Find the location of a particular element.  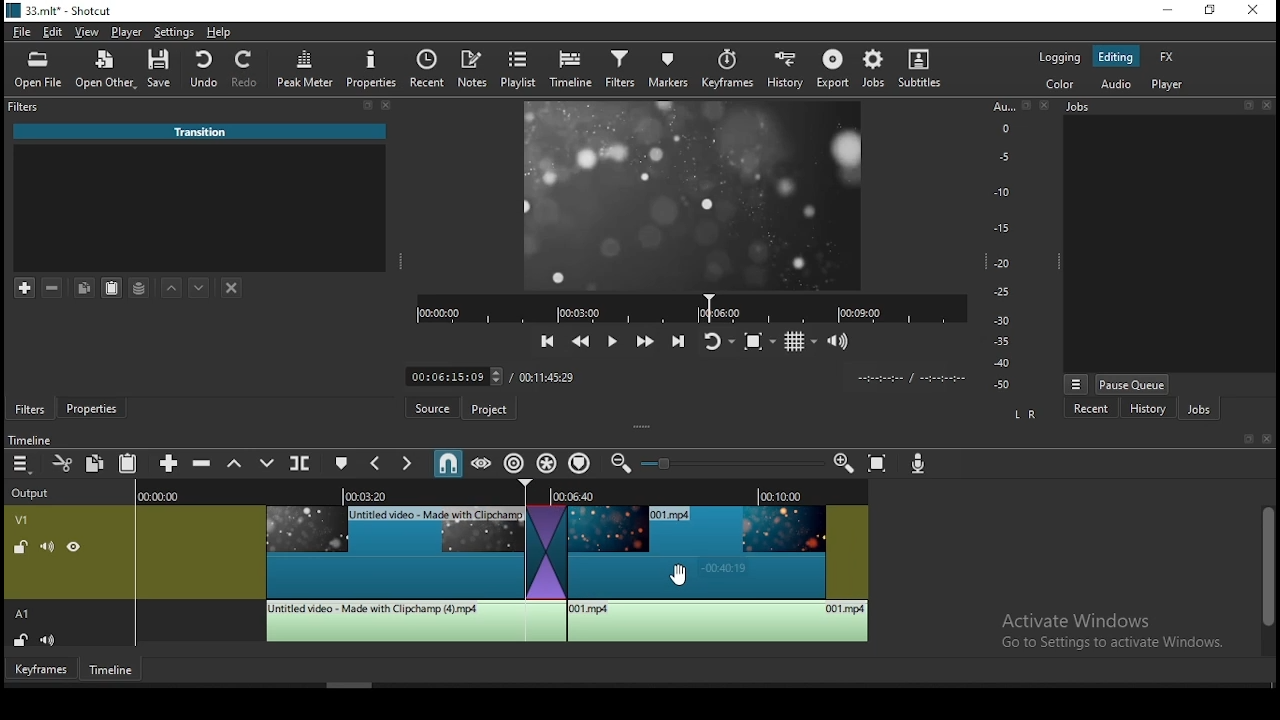

jobs is located at coordinates (878, 68).